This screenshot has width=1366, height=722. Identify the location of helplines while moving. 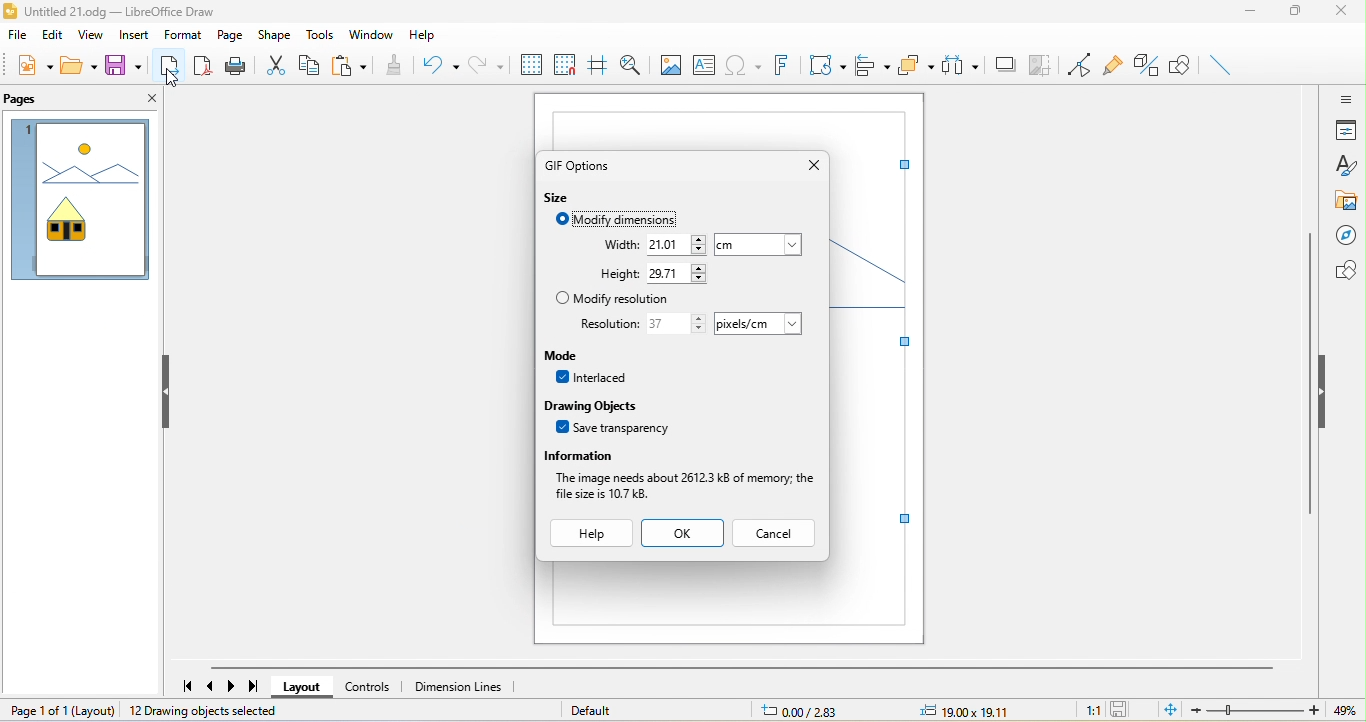
(599, 63).